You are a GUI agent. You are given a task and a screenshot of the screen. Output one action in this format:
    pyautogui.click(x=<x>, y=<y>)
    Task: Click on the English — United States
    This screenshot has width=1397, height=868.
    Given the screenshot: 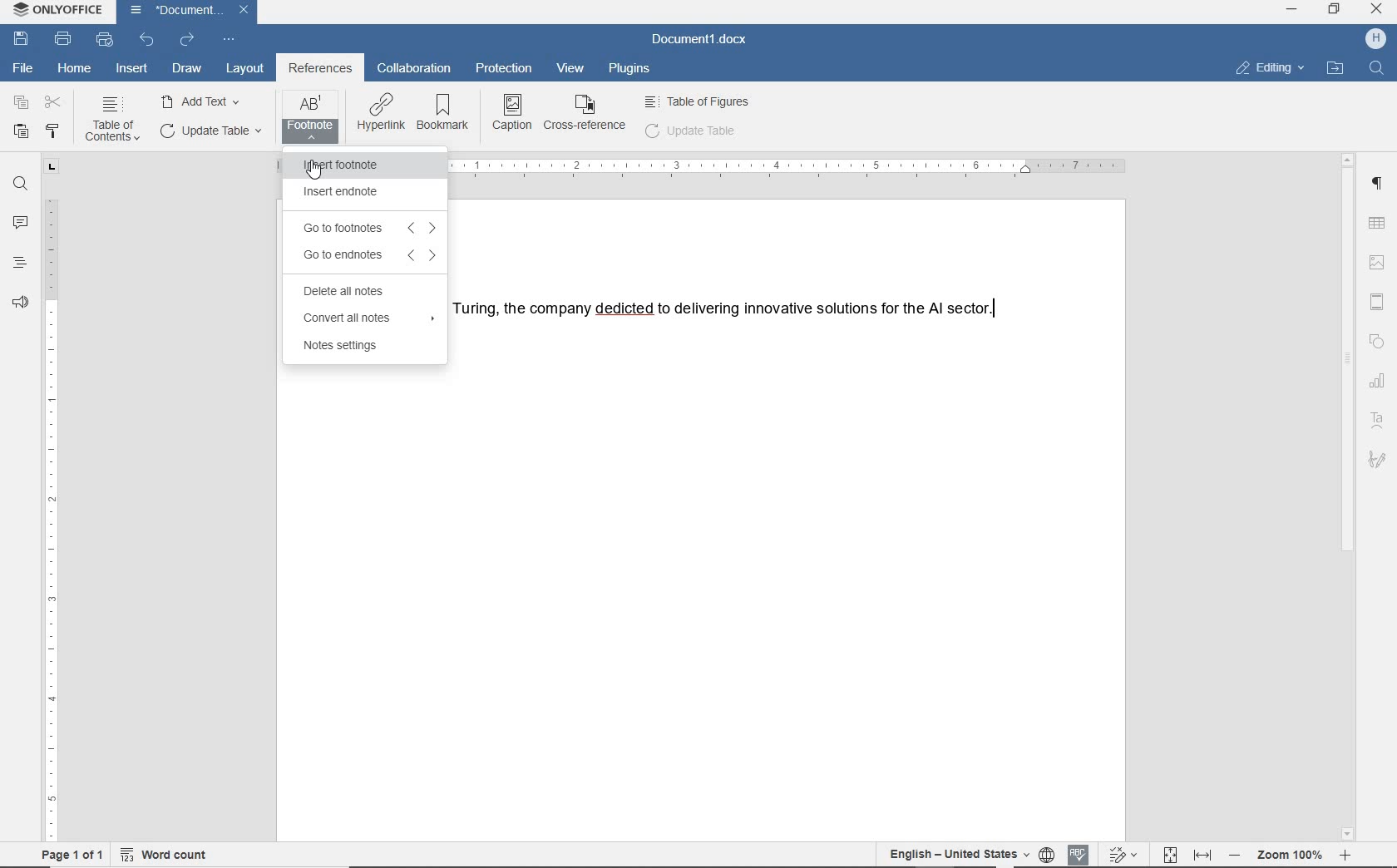 What is the action you would take?
    pyautogui.click(x=952, y=855)
    